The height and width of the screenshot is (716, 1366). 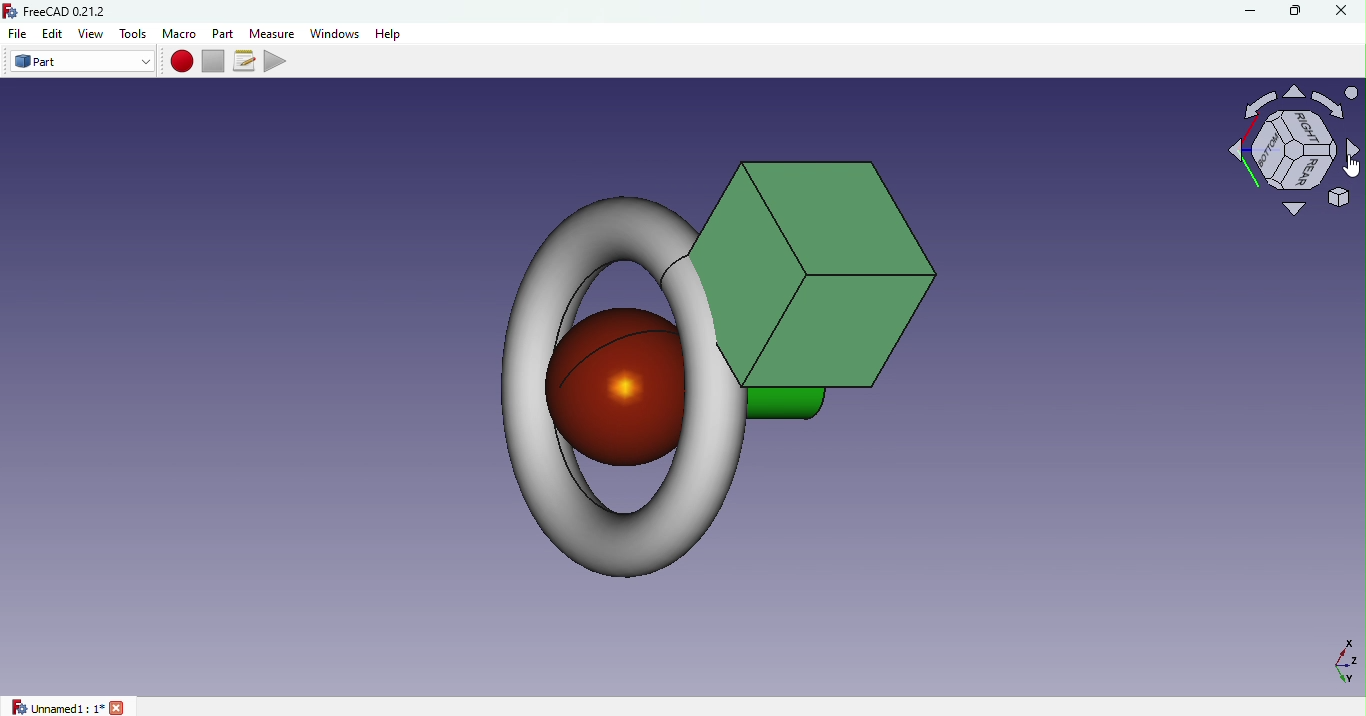 What do you see at coordinates (17, 34) in the screenshot?
I see `File` at bounding box center [17, 34].